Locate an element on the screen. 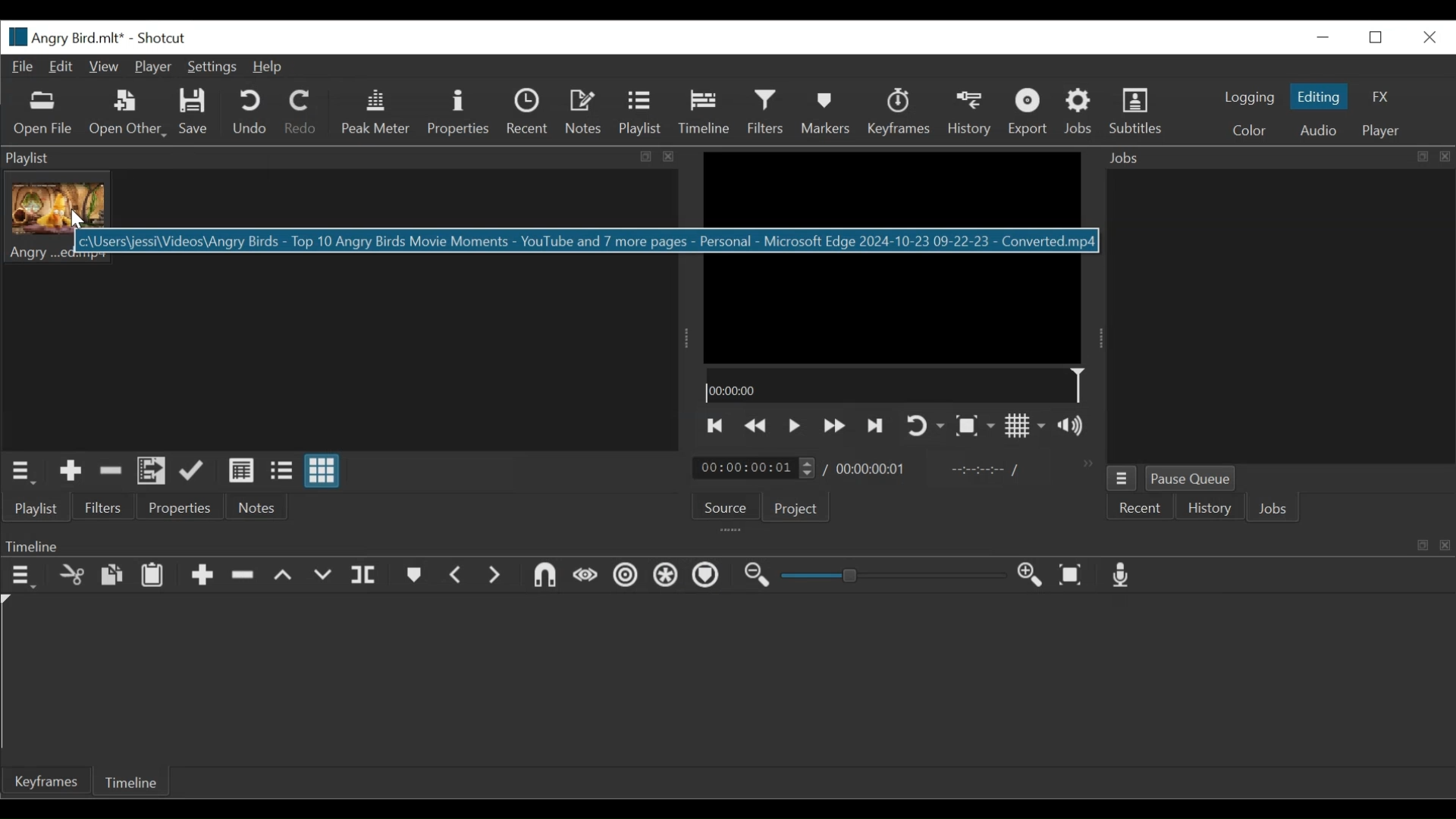 This screenshot has height=819, width=1456. Media Viewer is located at coordinates (894, 257).